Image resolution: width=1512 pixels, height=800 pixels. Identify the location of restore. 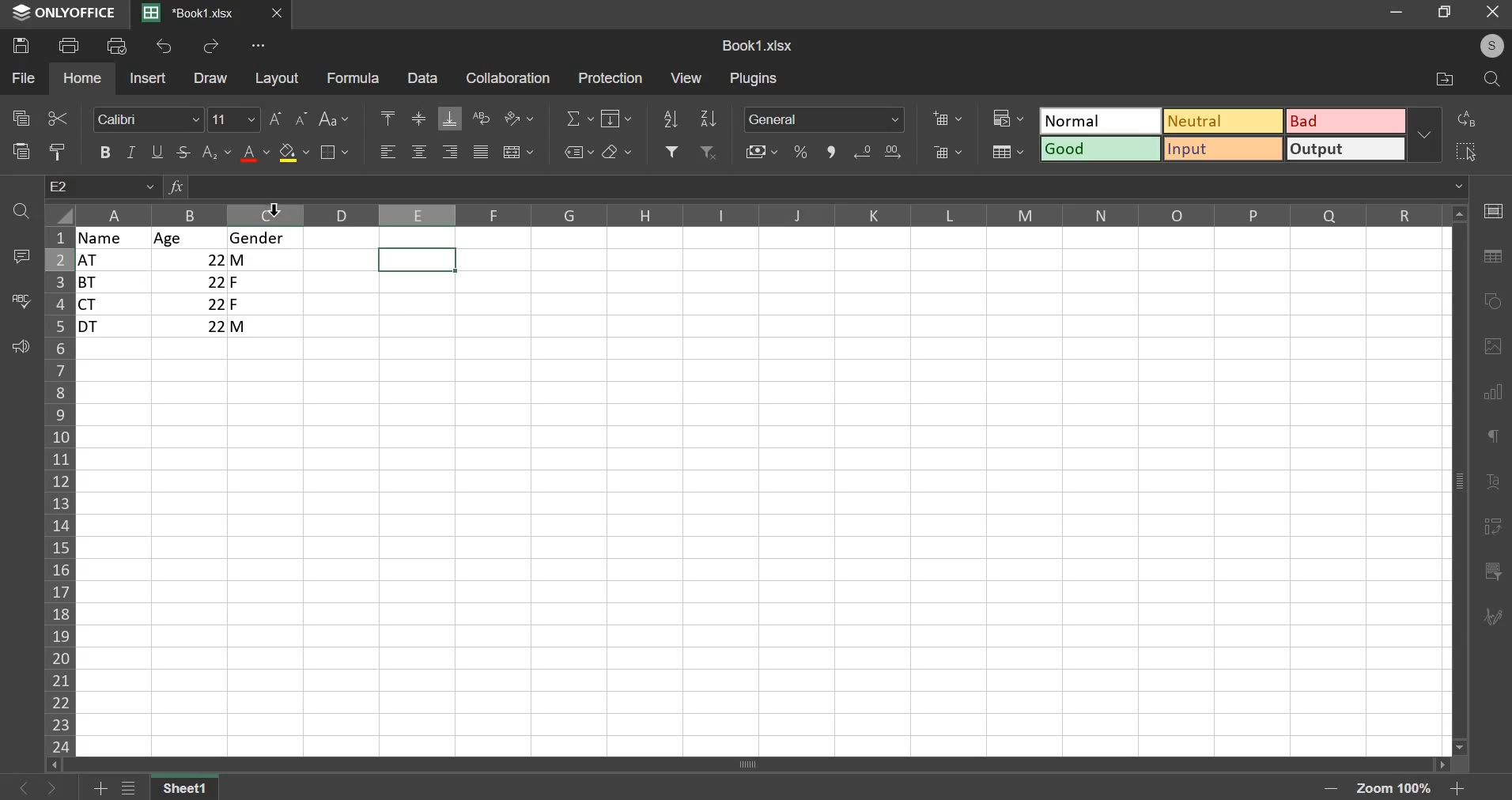
(1448, 13).